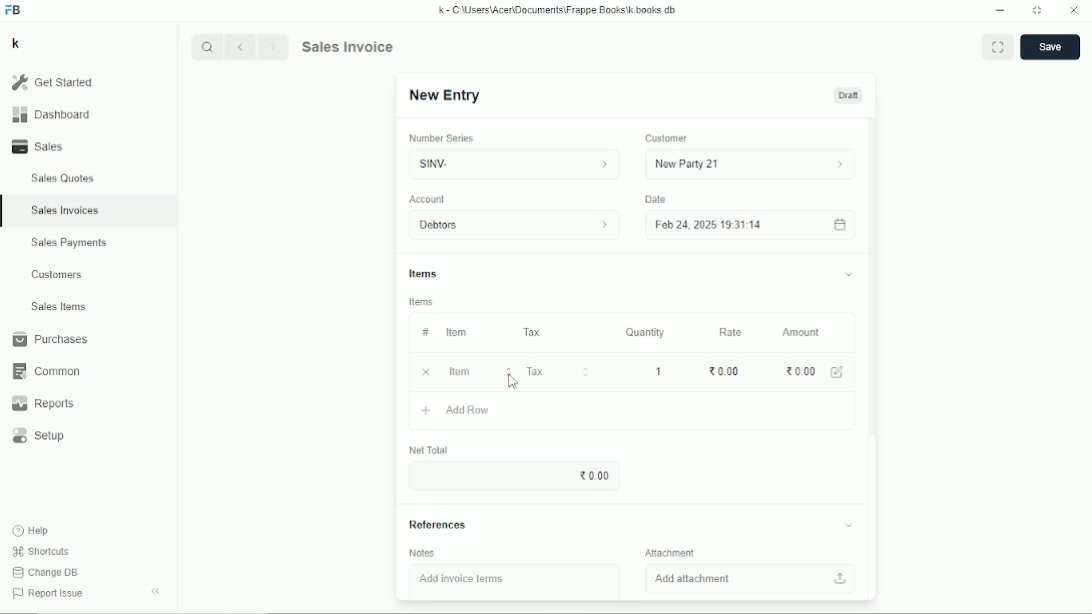  Describe the element at coordinates (730, 332) in the screenshot. I see `Rate` at that location.